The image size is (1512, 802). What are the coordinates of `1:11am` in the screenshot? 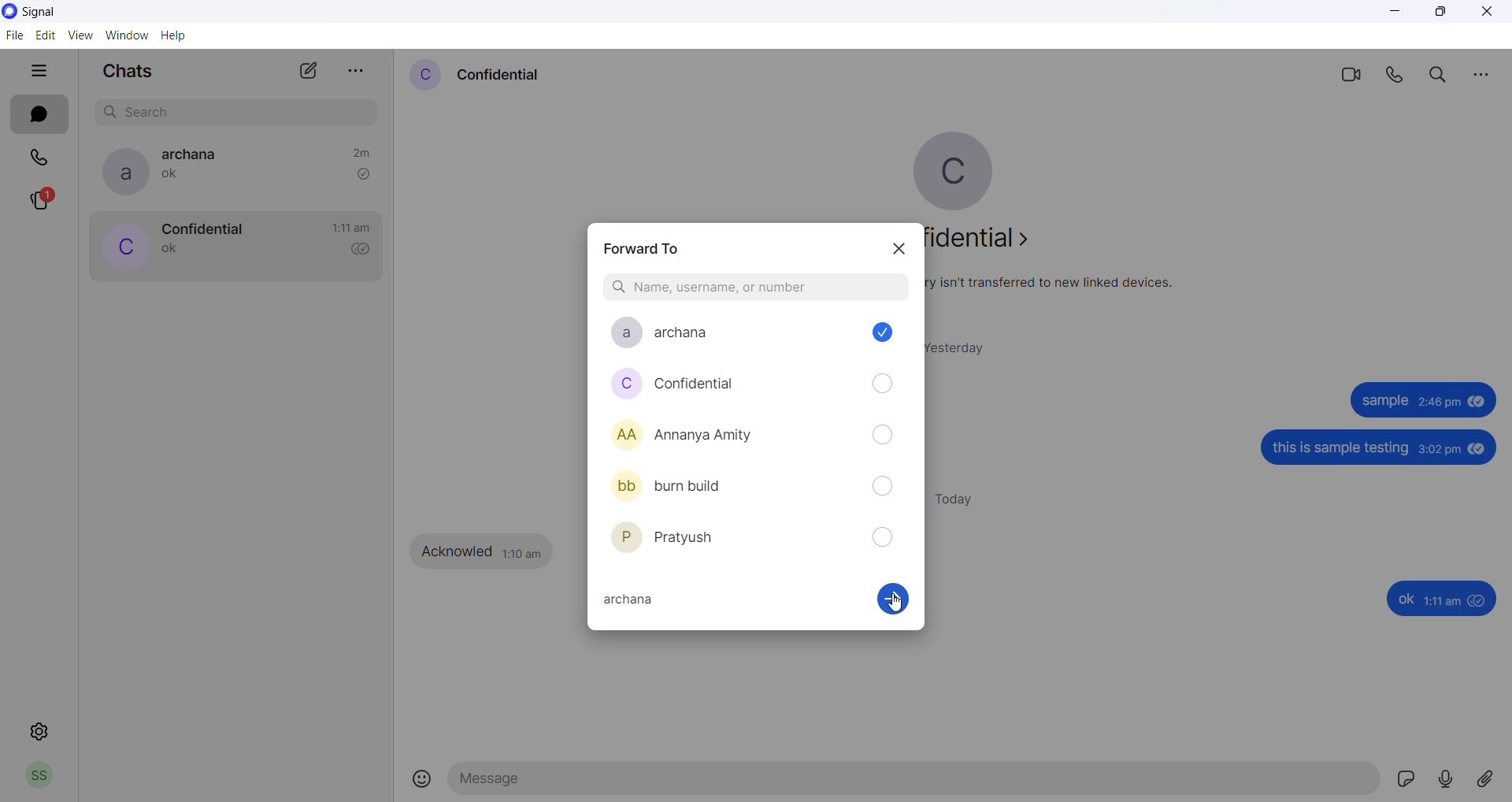 It's located at (1444, 601).